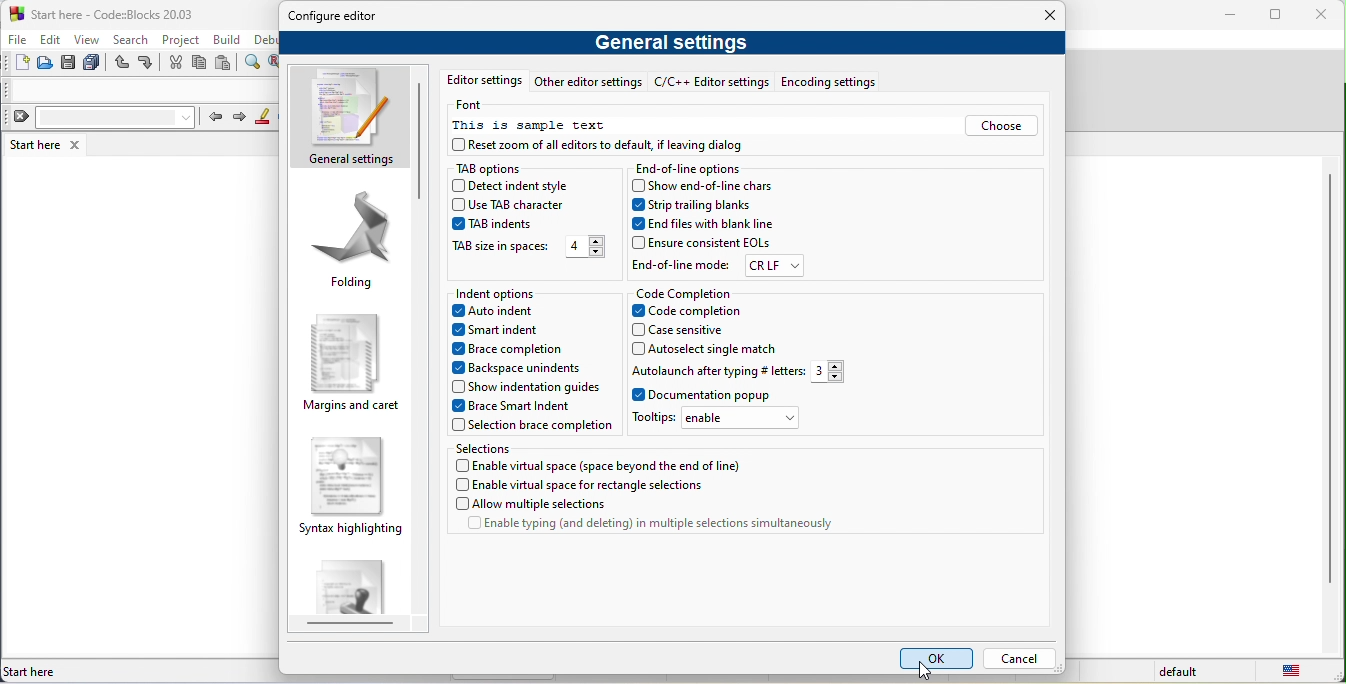 The width and height of the screenshot is (1346, 684). Describe the element at coordinates (487, 81) in the screenshot. I see `editor settings` at that location.